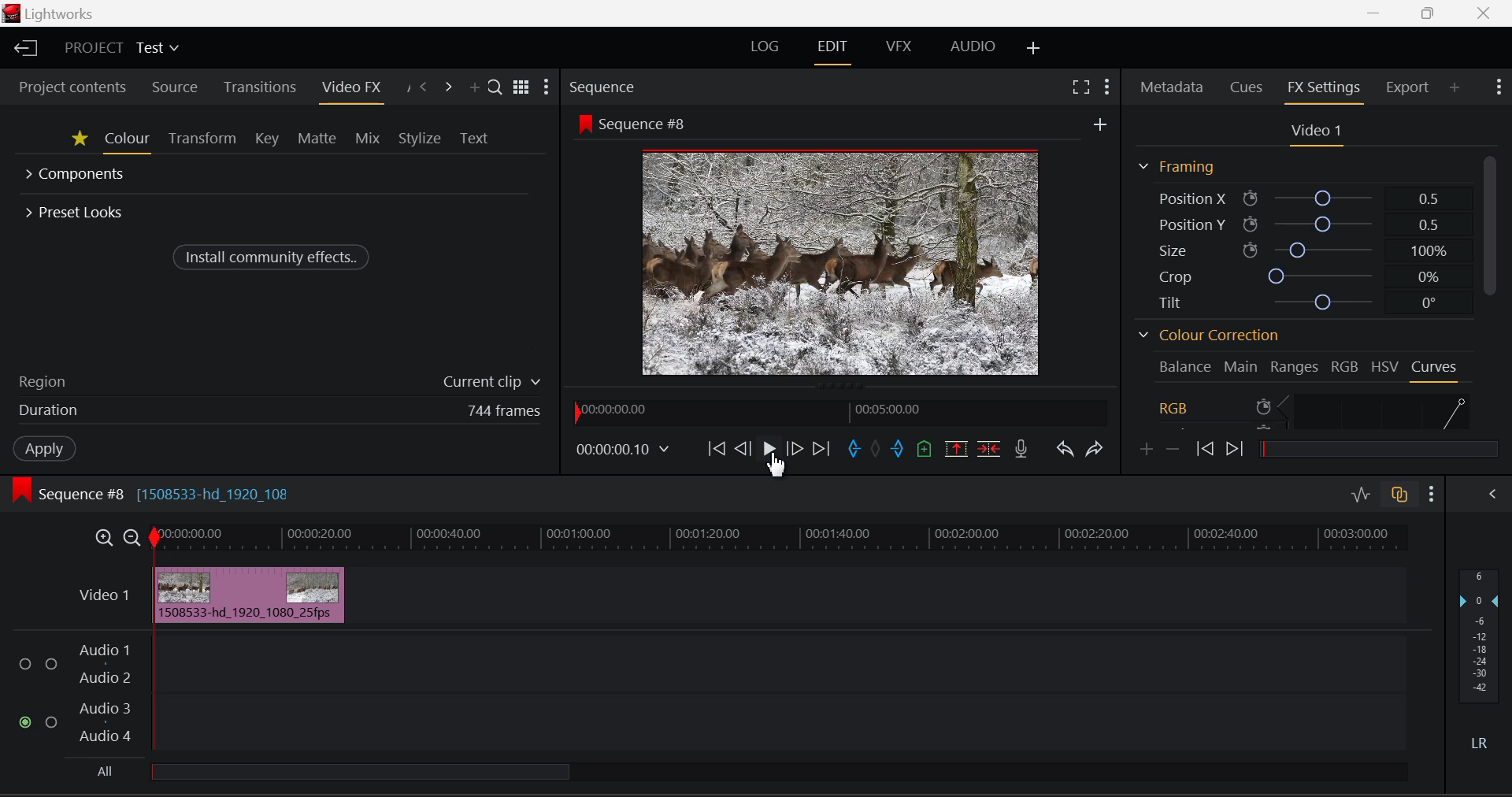  Describe the element at coordinates (1498, 89) in the screenshot. I see `Show Settings` at that location.